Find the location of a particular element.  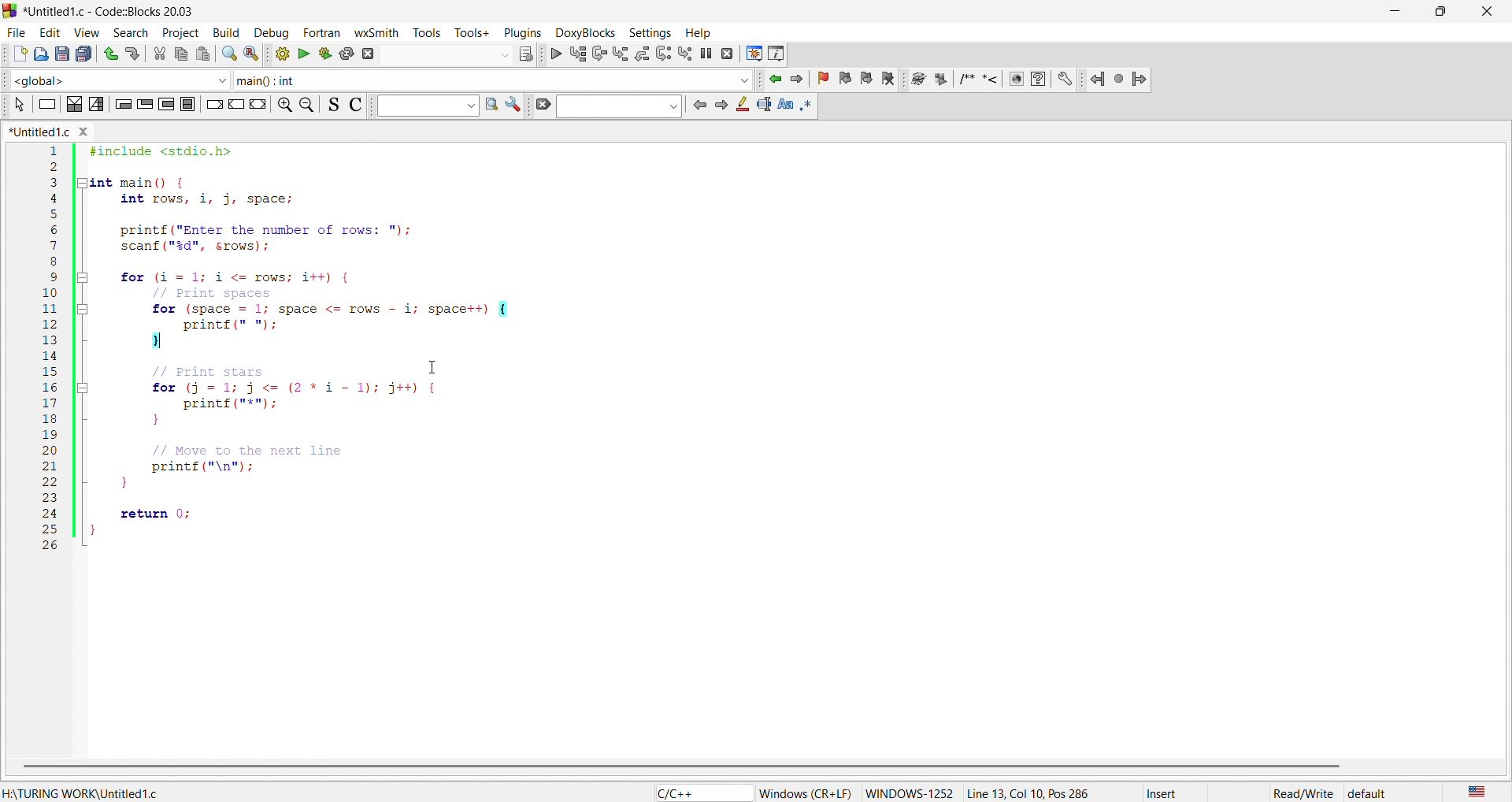

build is located at coordinates (226, 32).